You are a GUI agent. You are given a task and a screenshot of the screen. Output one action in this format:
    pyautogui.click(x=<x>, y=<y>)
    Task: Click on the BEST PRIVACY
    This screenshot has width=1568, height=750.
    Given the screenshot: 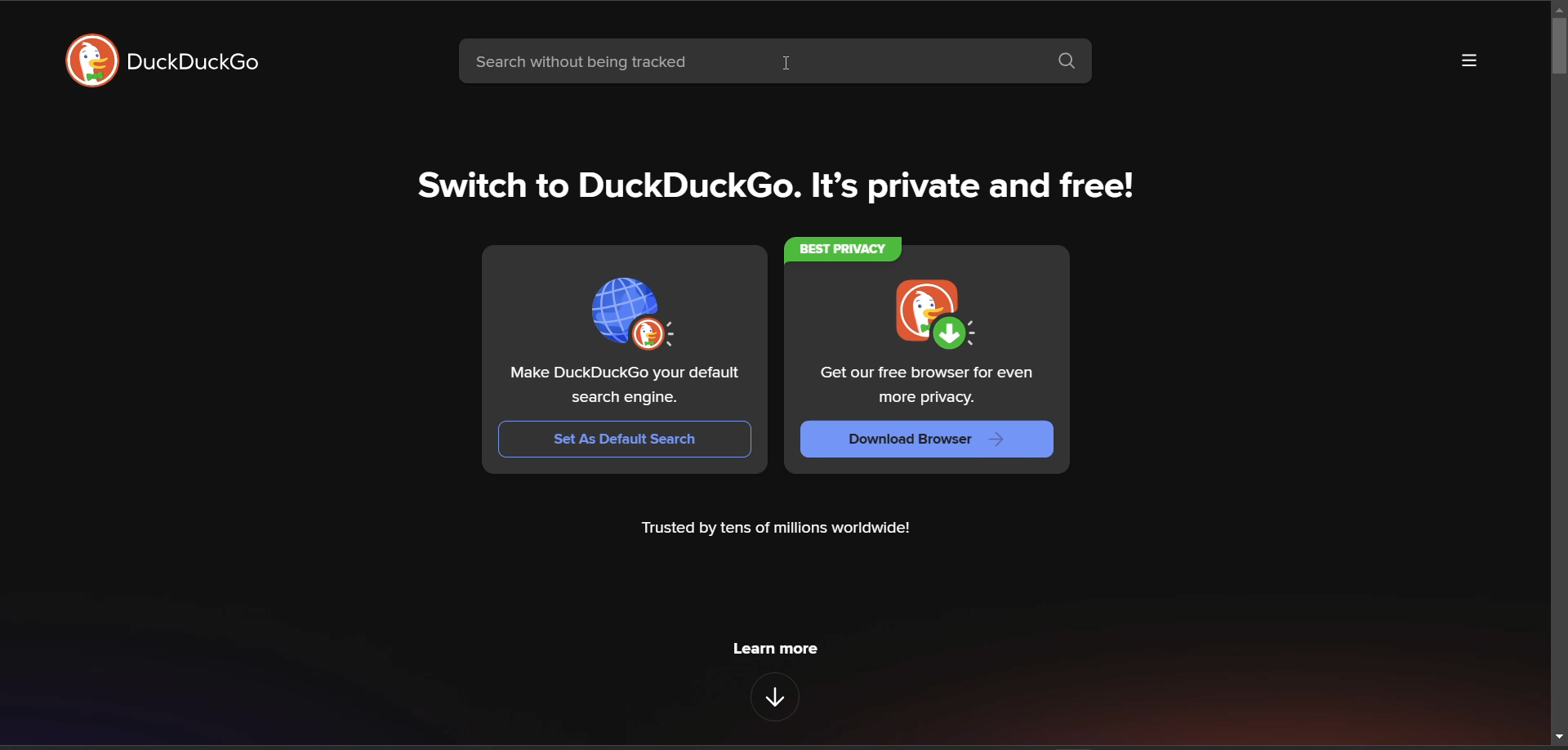 What is the action you would take?
    pyautogui.click(x=847, y=248)
    